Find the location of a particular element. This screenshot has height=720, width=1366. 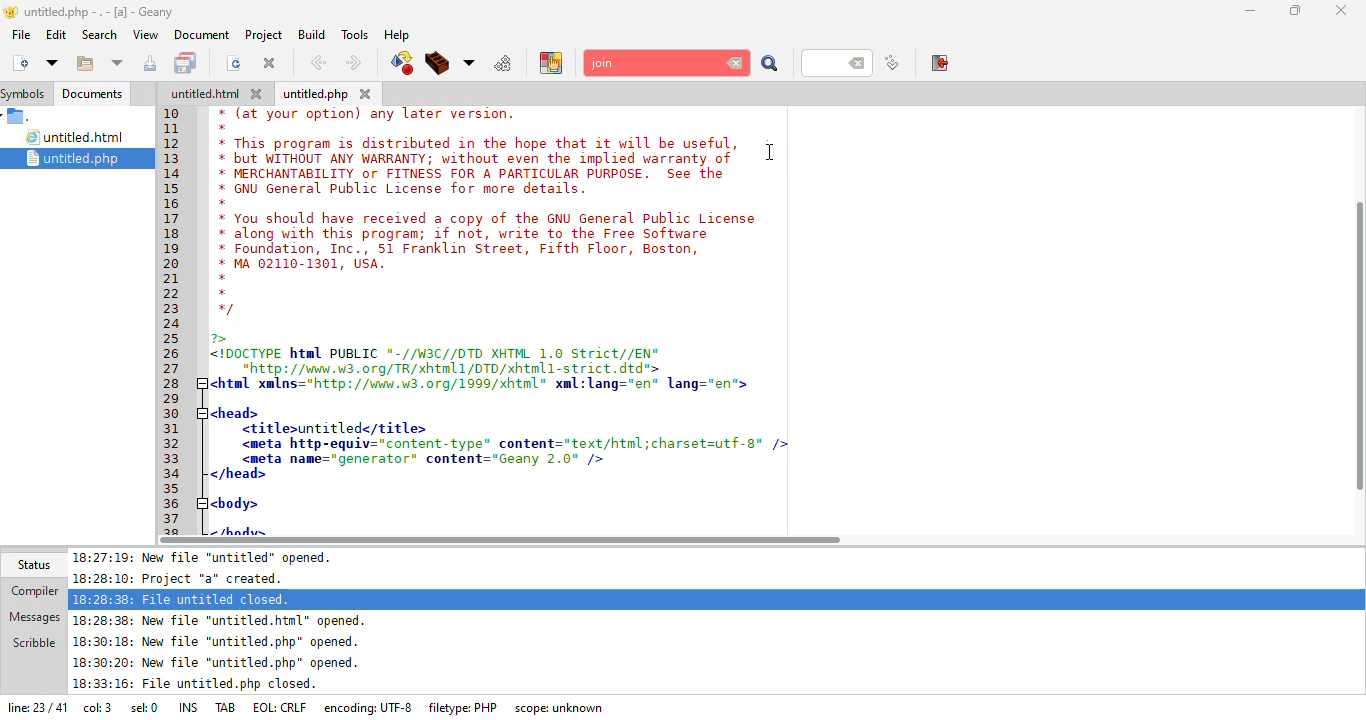

15 is located at coordinates (178, 190).